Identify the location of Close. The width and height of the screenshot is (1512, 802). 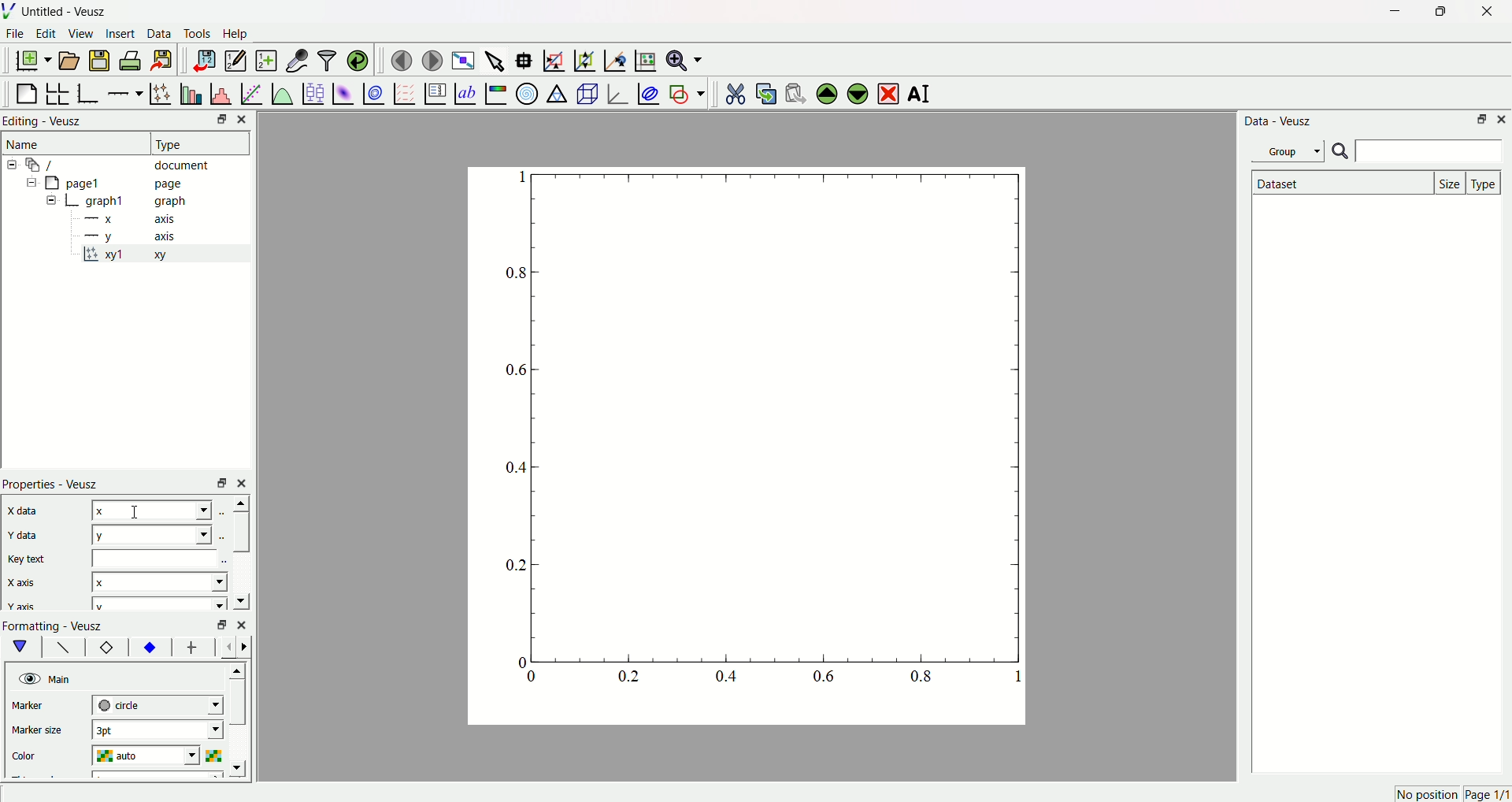
(1481, 13).